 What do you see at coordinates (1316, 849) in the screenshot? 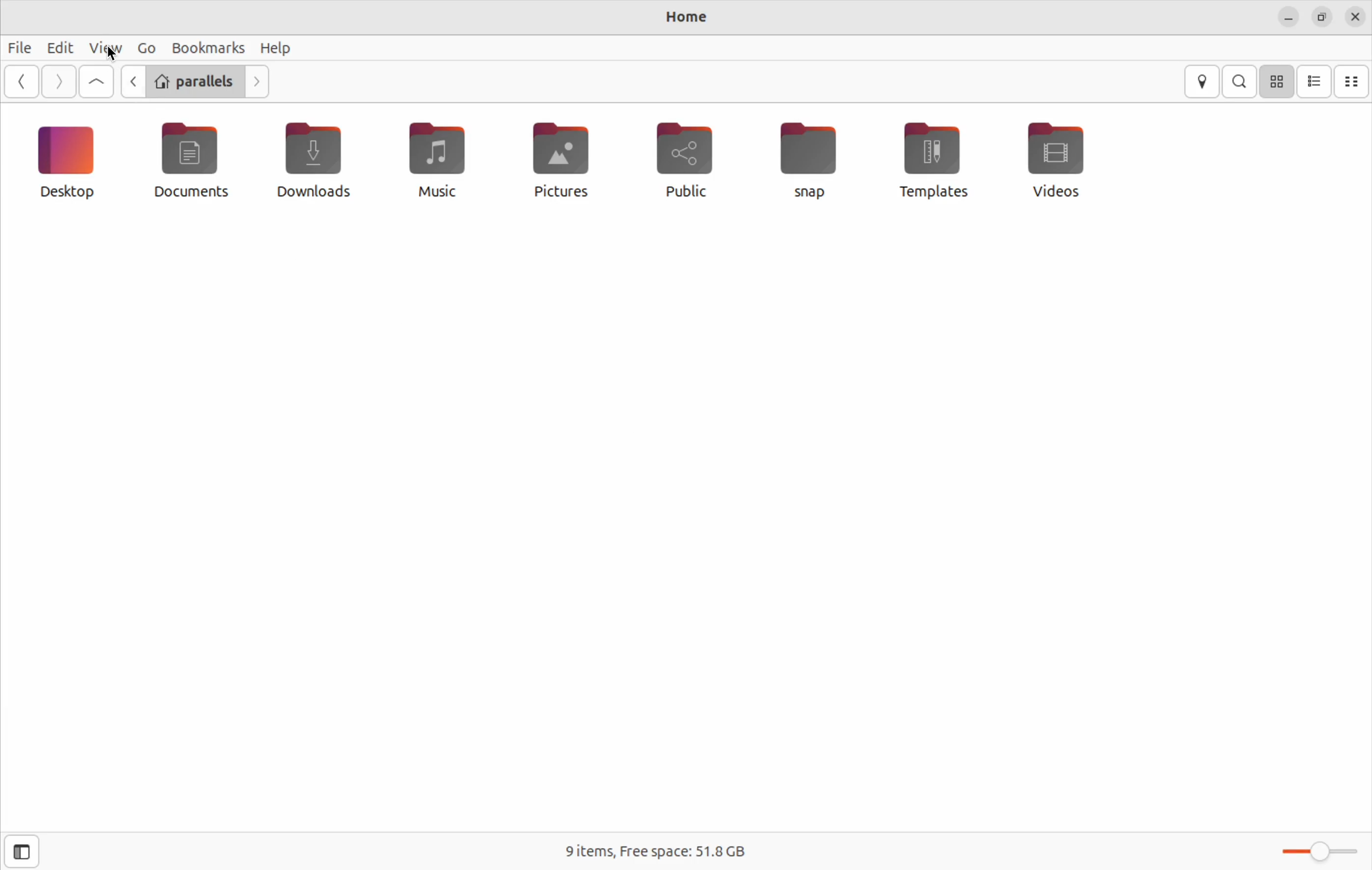
I see `Toggle bar` at bounding box center [1316, 849].